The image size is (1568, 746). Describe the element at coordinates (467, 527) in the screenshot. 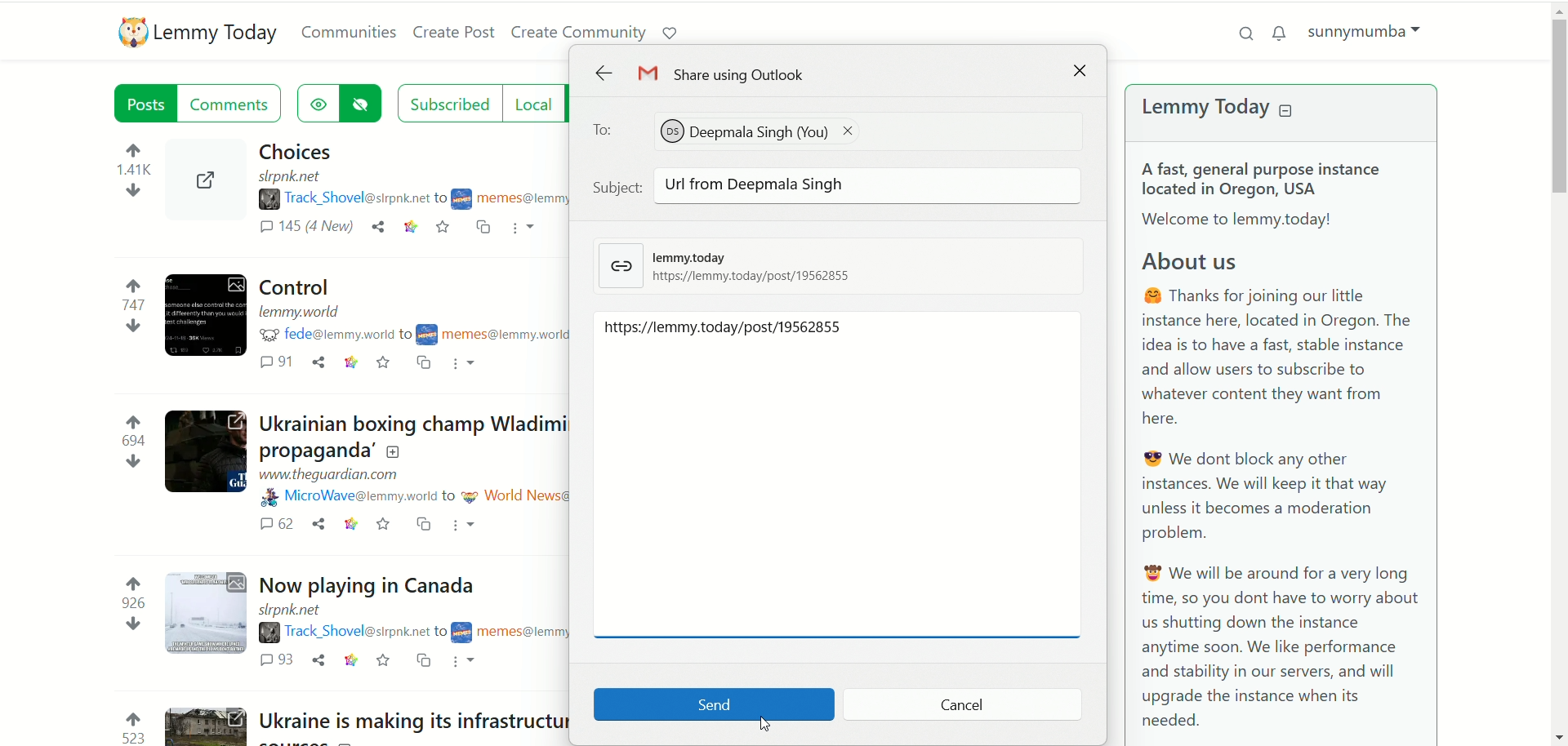

I see `more` at that location.